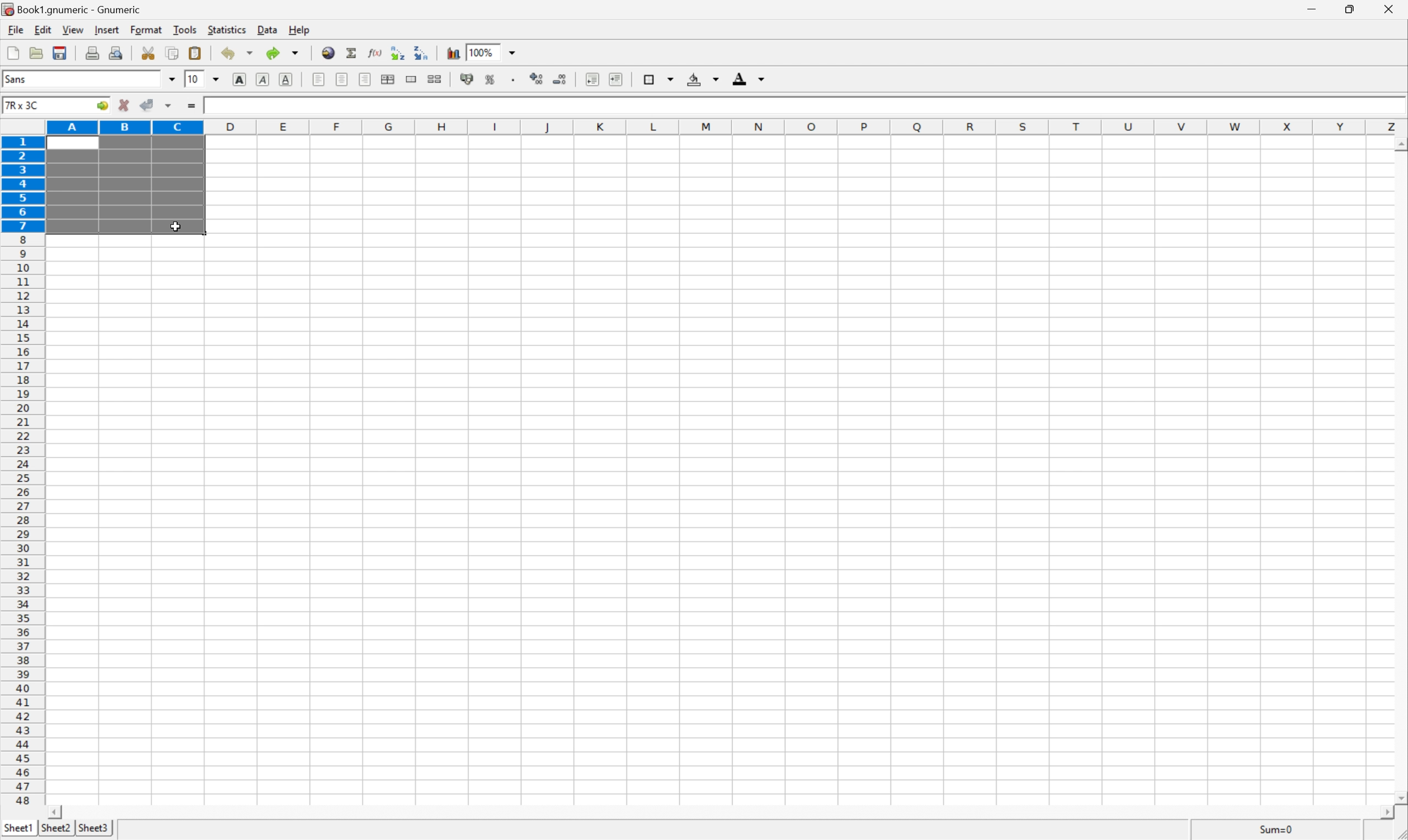 The width and height of the screenshot is (1408, 840). Describe the element at coordinates (1281, 830) in the screenshot. I see `sum=0` at that location.